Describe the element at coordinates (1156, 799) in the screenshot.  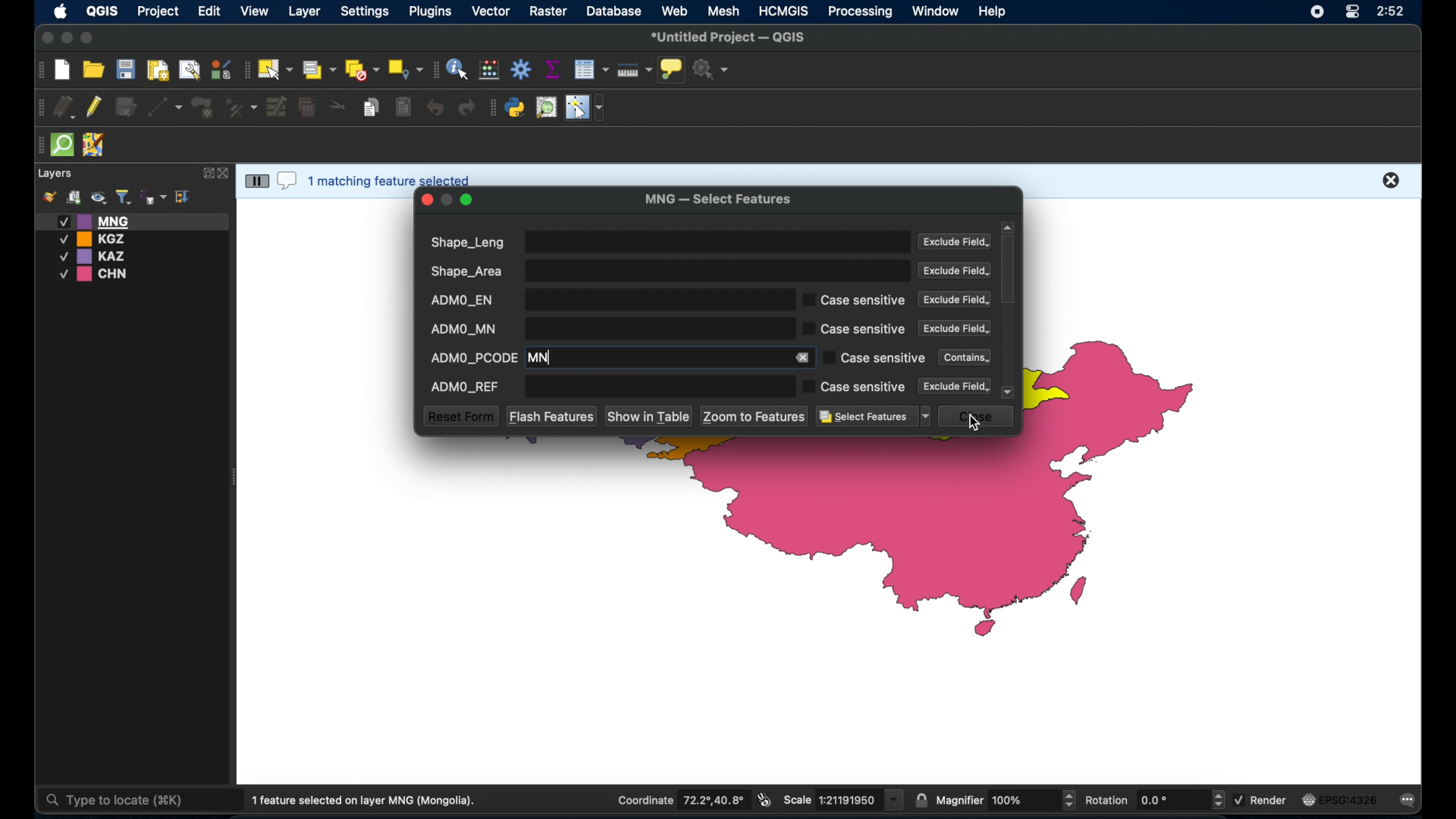
I see `rotation 0.0` at that location.